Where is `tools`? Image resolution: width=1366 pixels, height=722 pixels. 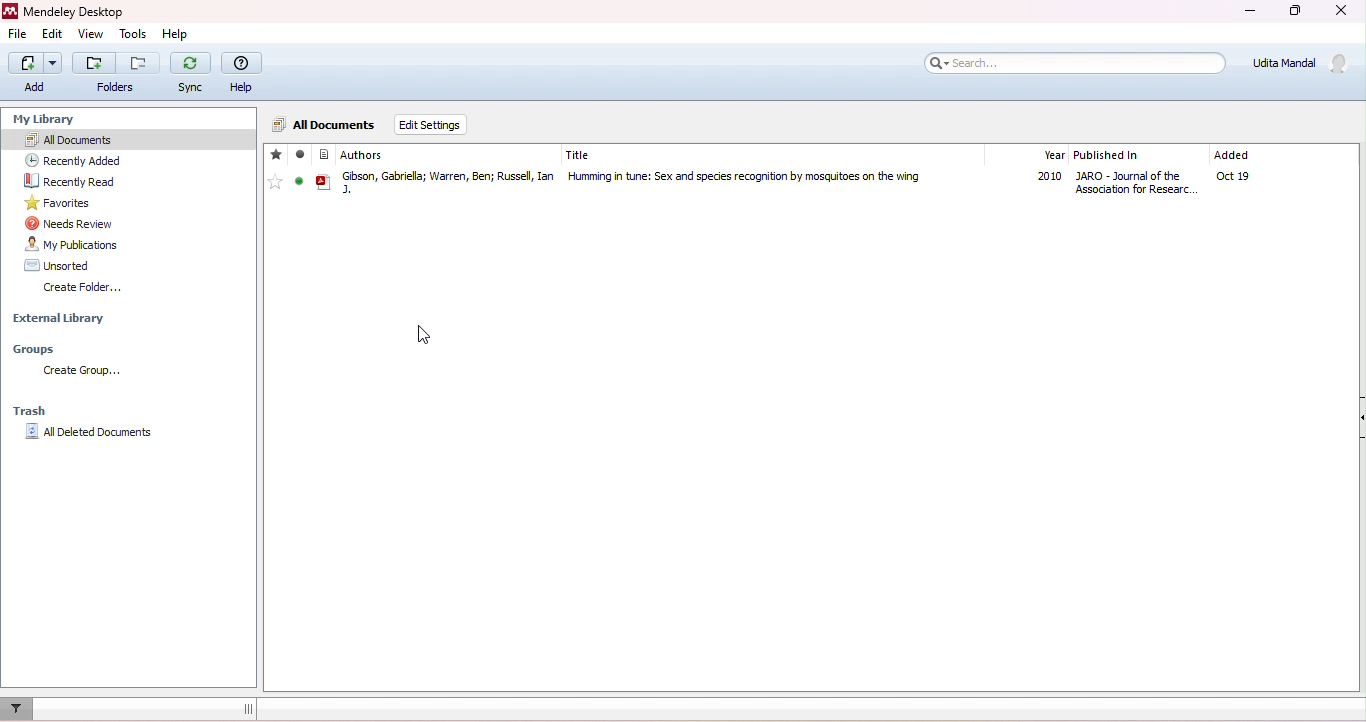 tools is located at coordinates (136, 36).